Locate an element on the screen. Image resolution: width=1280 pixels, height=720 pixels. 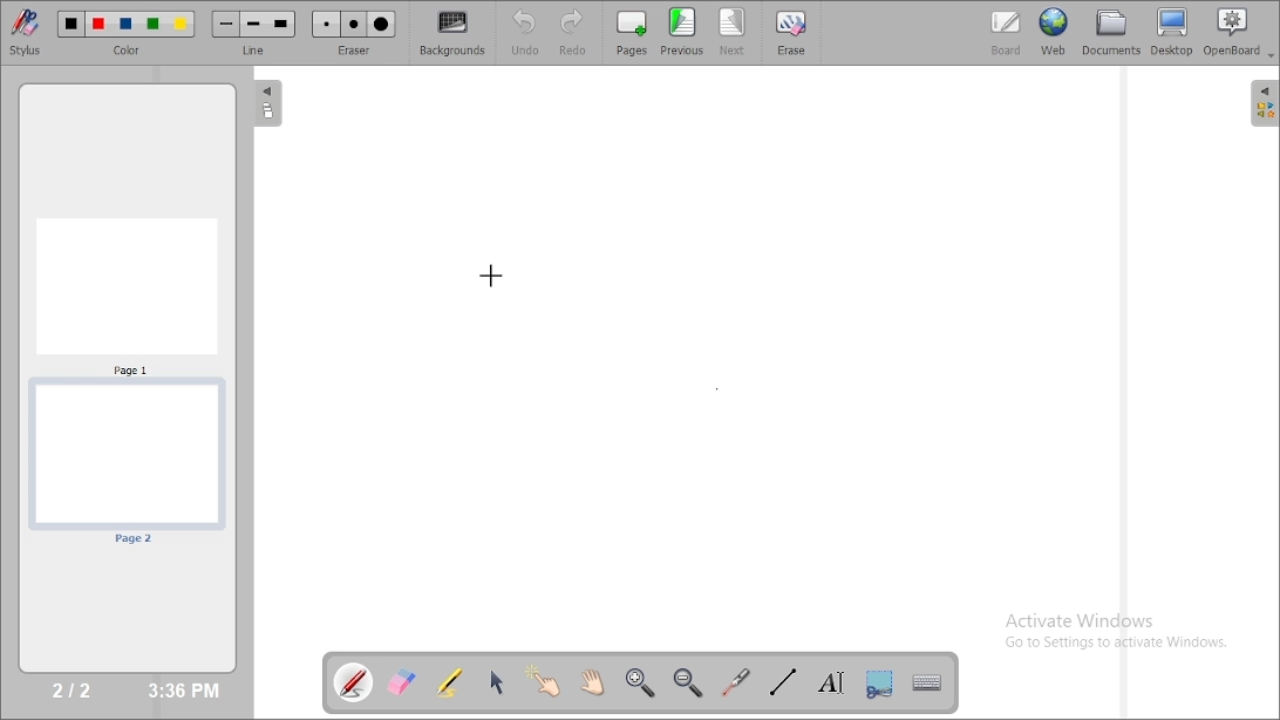
Small eraser is located at coordinates (326, 25).